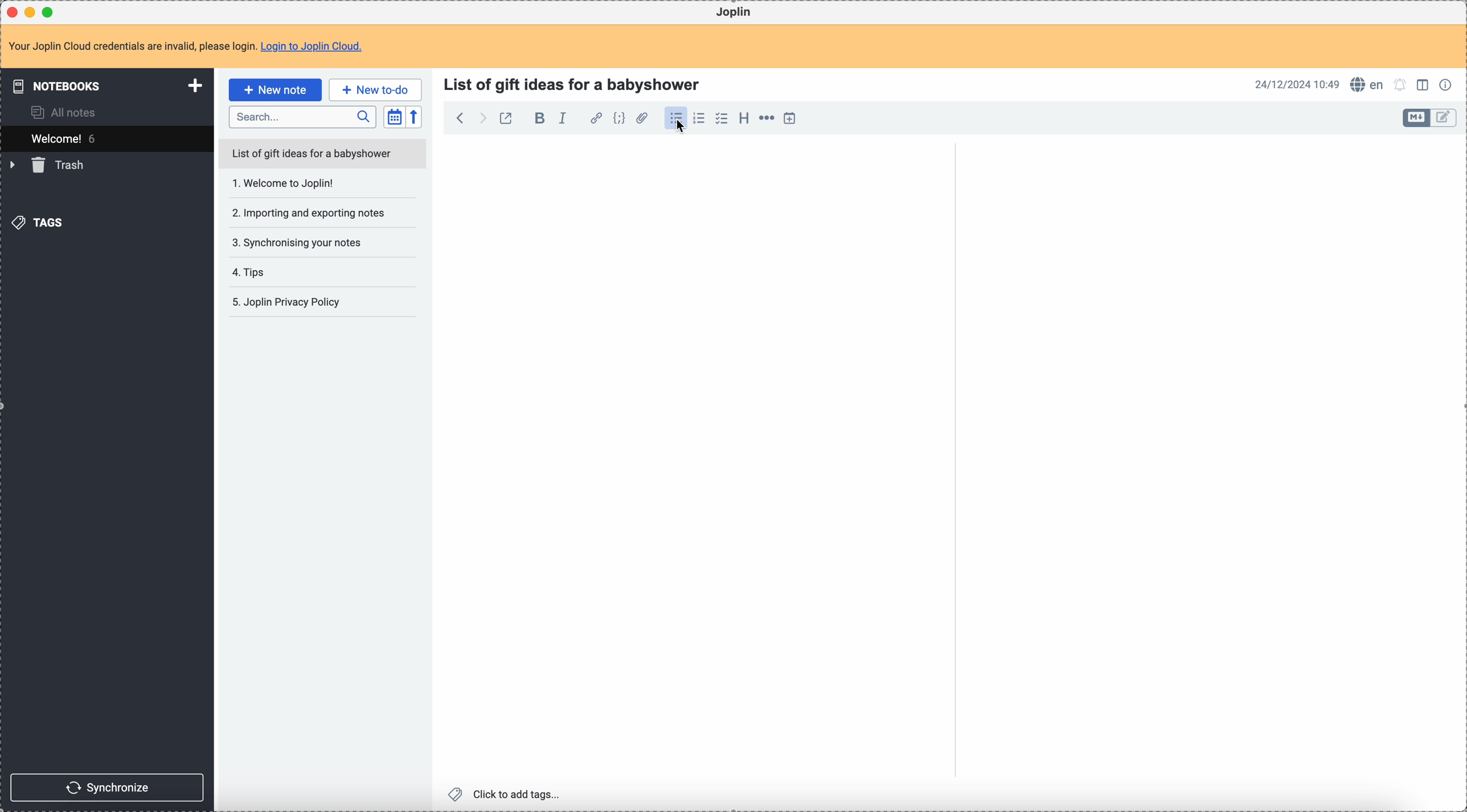  Describe the element at coordinates (1368, 85) in the screenshot. I see `spell checker` at that location.